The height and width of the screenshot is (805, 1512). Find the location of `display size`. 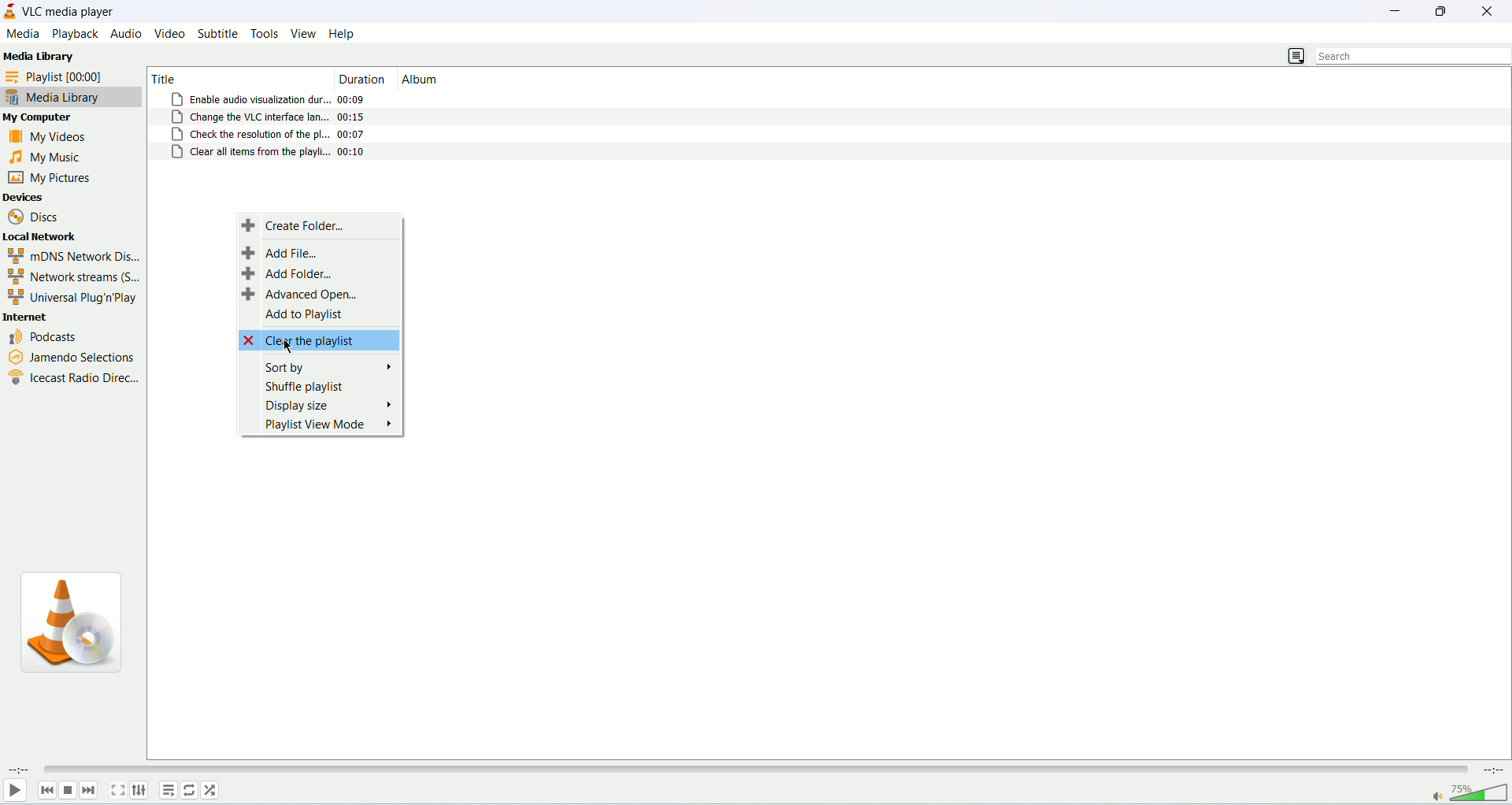

display size is located at coordinates (332, 406).